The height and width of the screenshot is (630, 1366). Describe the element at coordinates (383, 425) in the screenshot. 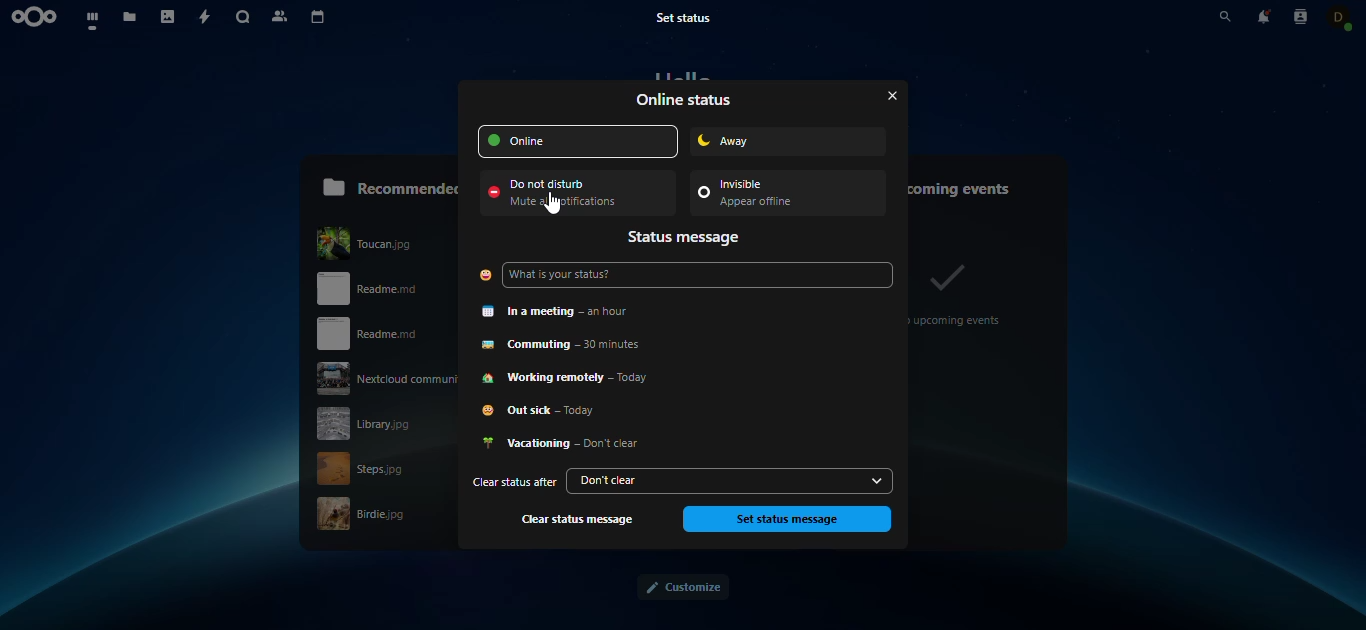

I see `library jpg ` at that location.